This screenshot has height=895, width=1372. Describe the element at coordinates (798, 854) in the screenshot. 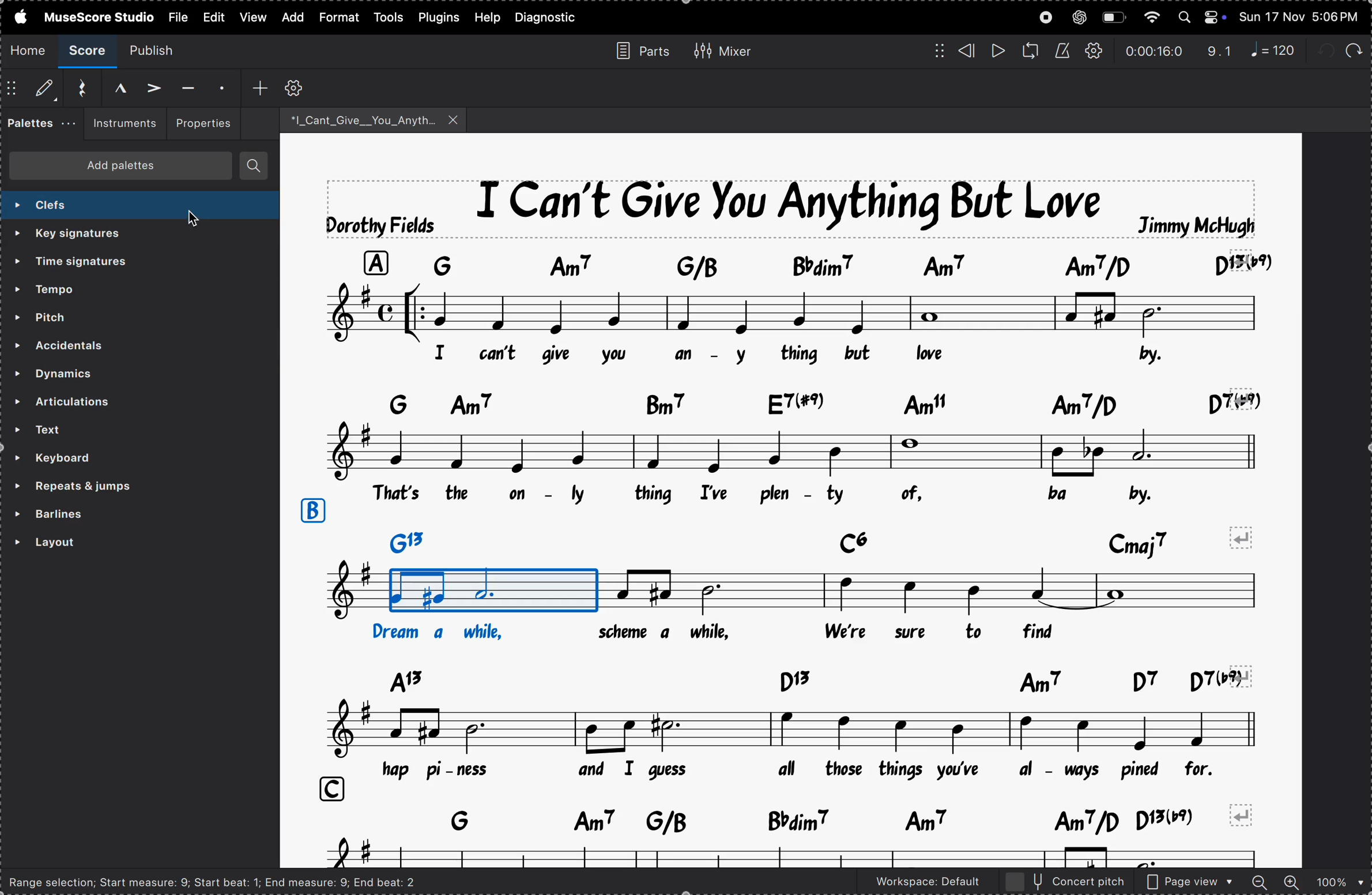

I see `notes` at that location.